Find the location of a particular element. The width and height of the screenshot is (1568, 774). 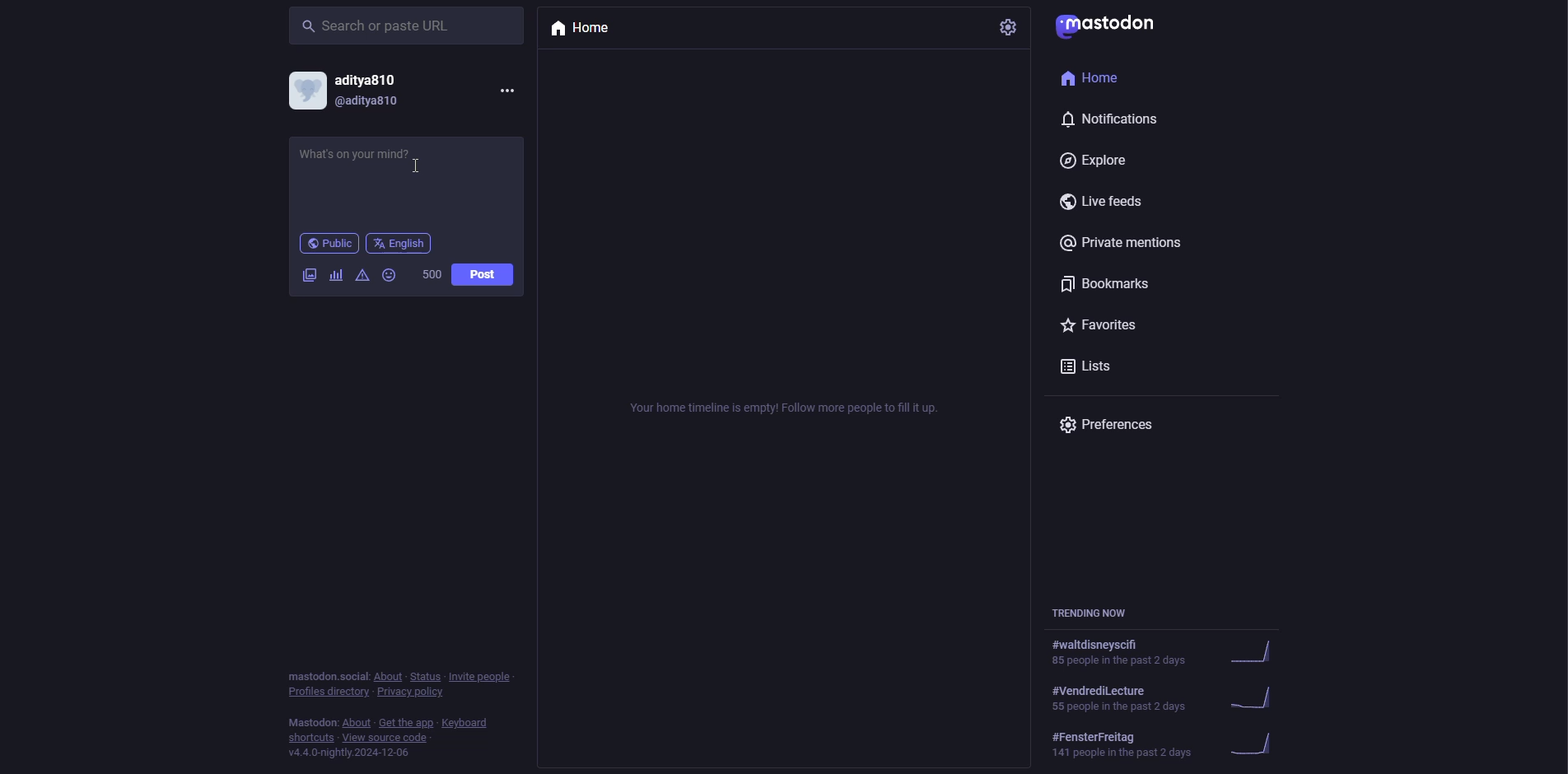

private mentions is located at coordinates (1126, 243).